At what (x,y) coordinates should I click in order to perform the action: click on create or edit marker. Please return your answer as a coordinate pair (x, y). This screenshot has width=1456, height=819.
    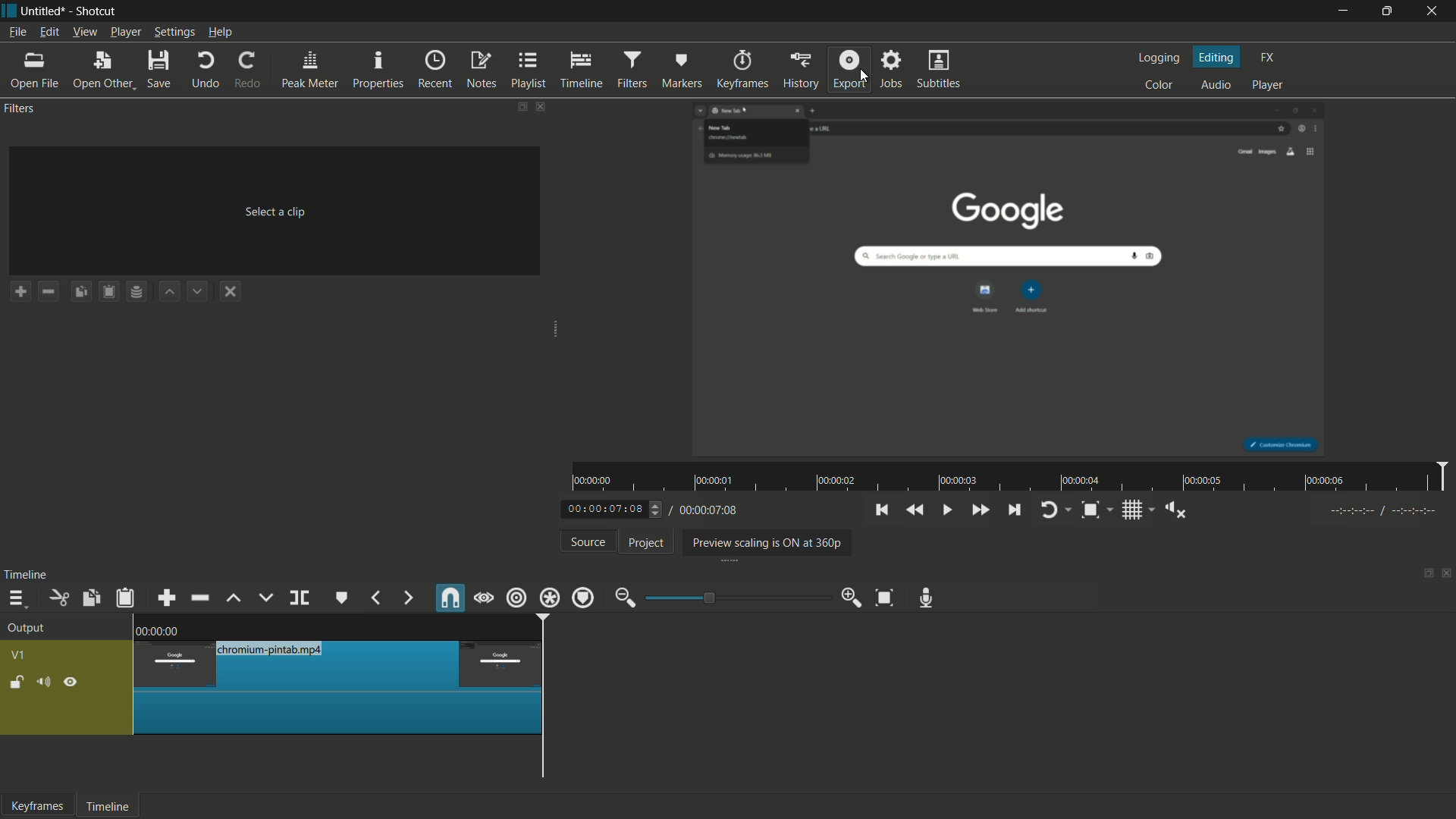
    Looking at the image, I should click on (342, 598).